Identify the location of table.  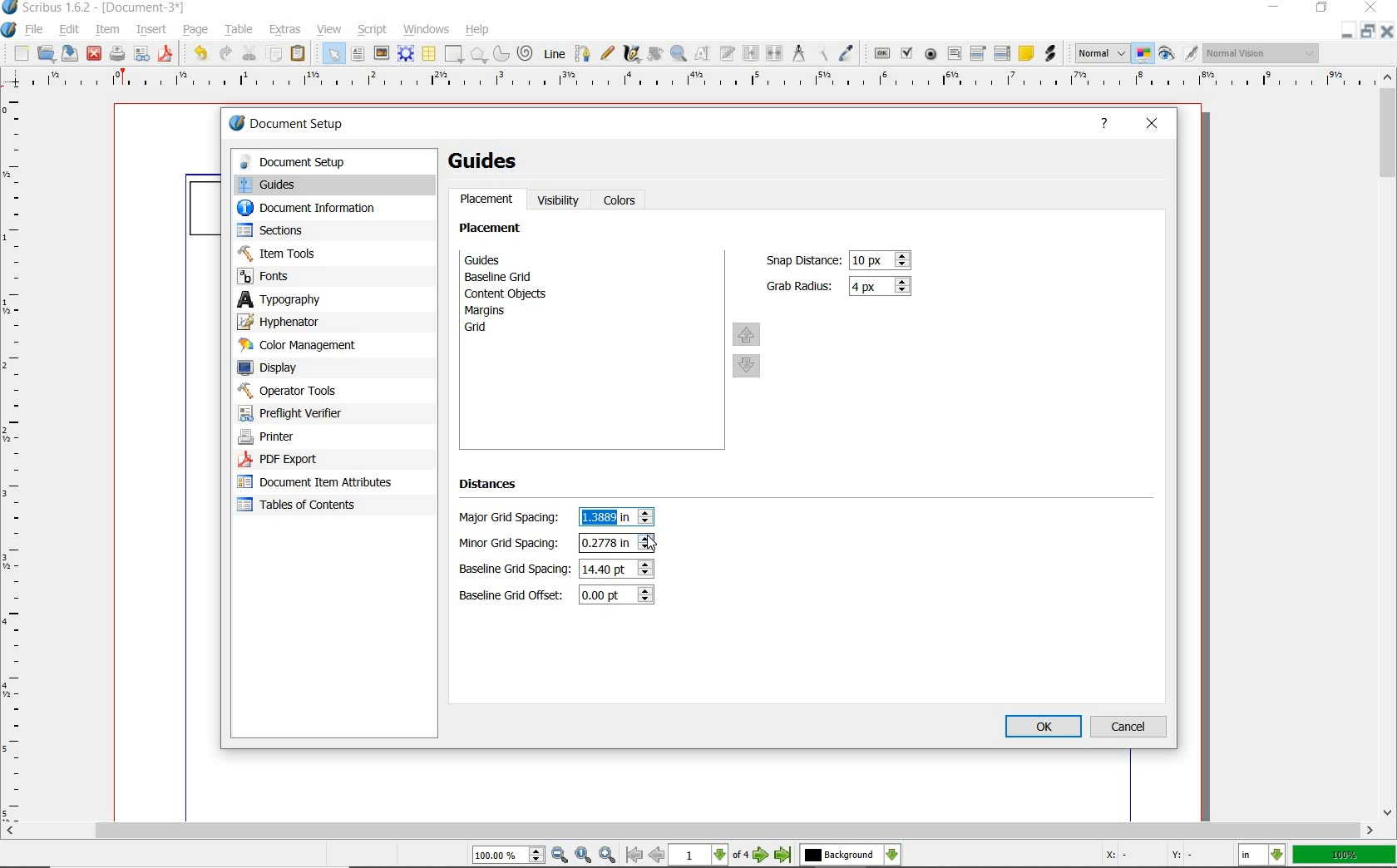
(429, 55).